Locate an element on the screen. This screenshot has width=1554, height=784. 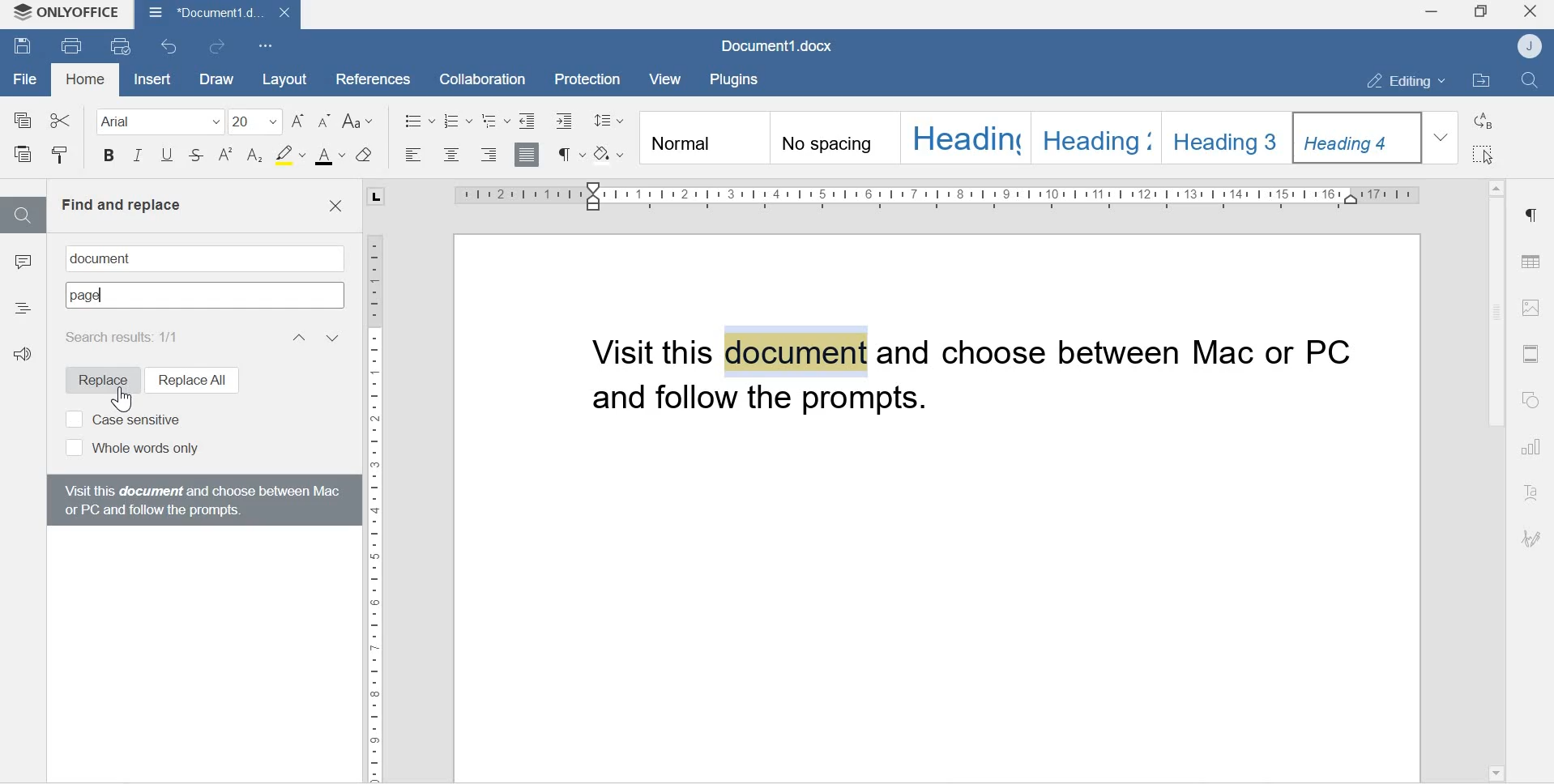
Visit this document and choose between Mac or PC and follow the prompts. is located at coordinates (201, 499).